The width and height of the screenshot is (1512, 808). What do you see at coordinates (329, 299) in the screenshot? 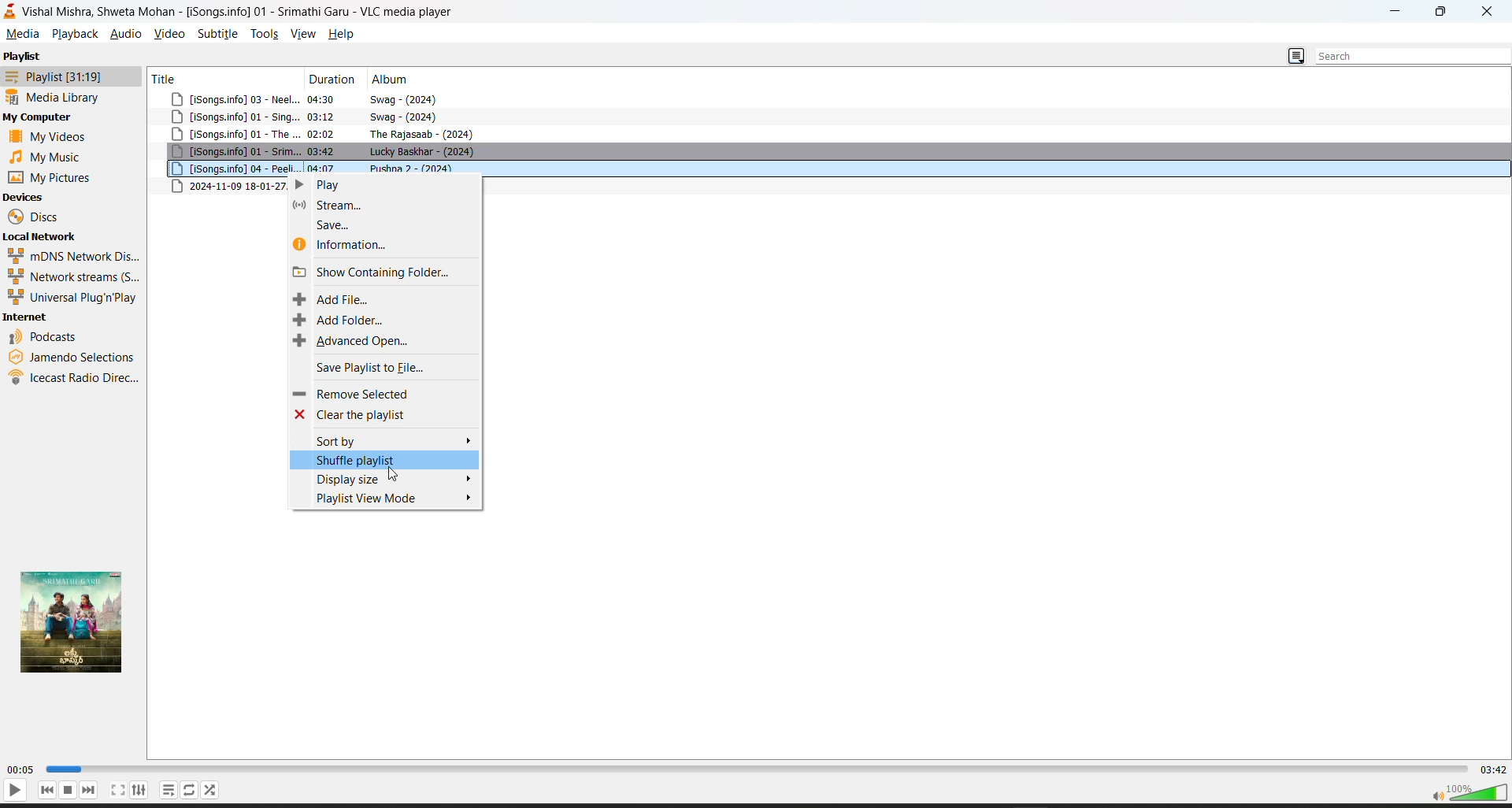
I see `add file` at bounding box center [329, 299].